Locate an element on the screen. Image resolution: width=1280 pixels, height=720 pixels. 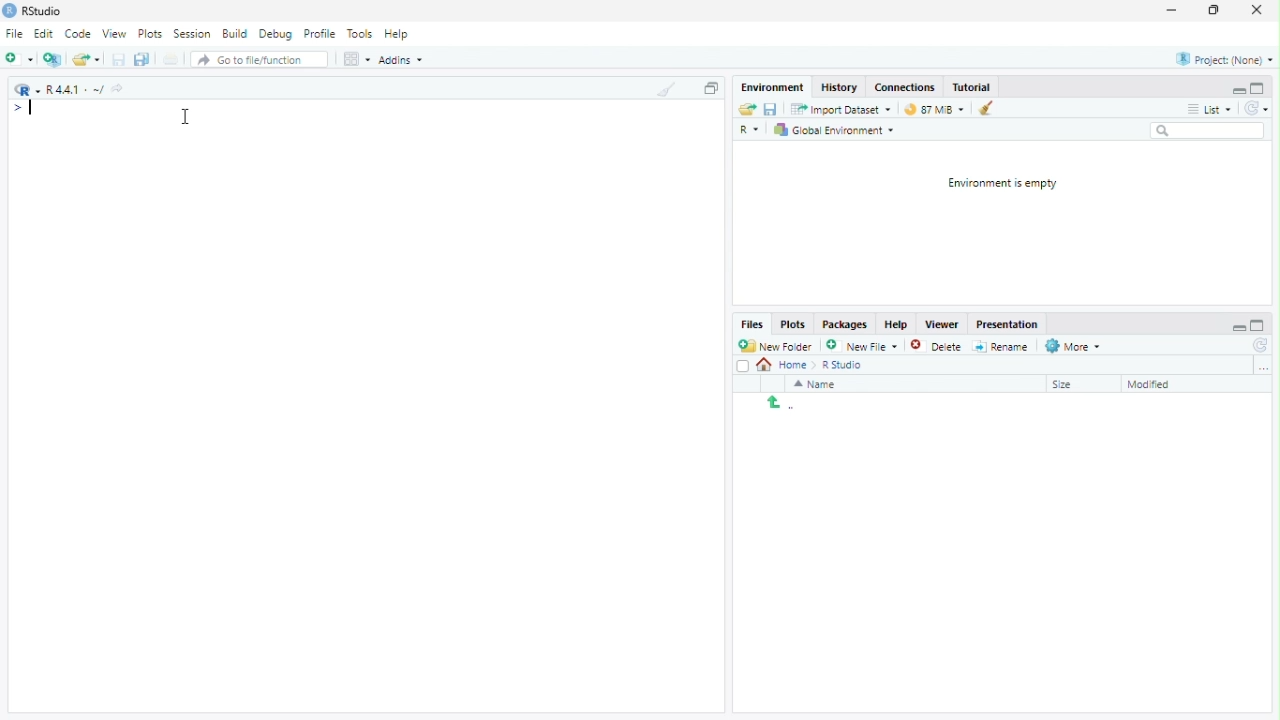
Go is located at coordinates (121, 89).